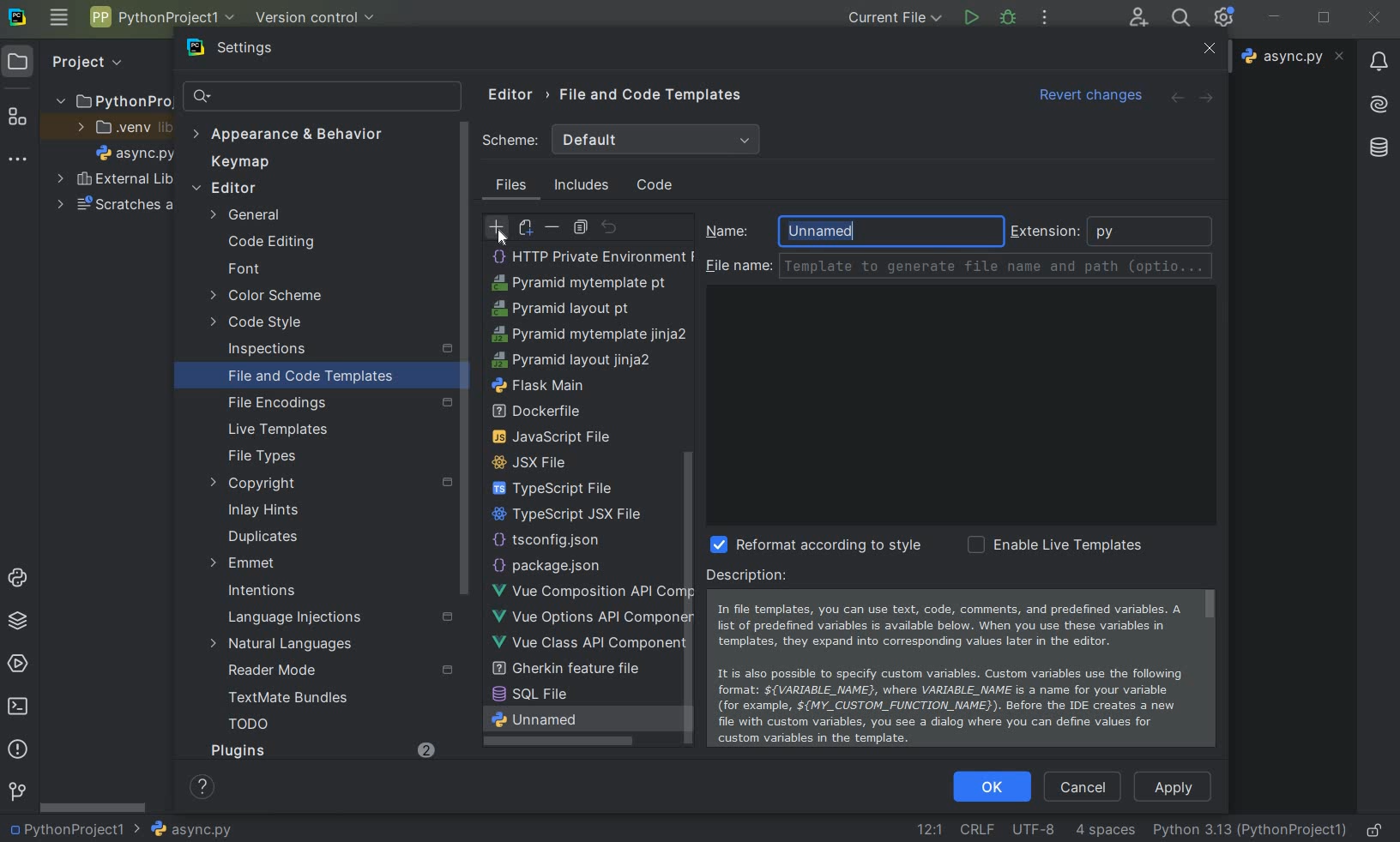 Image resolution: width=1400 pixels, height=842 pixels. I want to click on HTML File, so click(576, 254).